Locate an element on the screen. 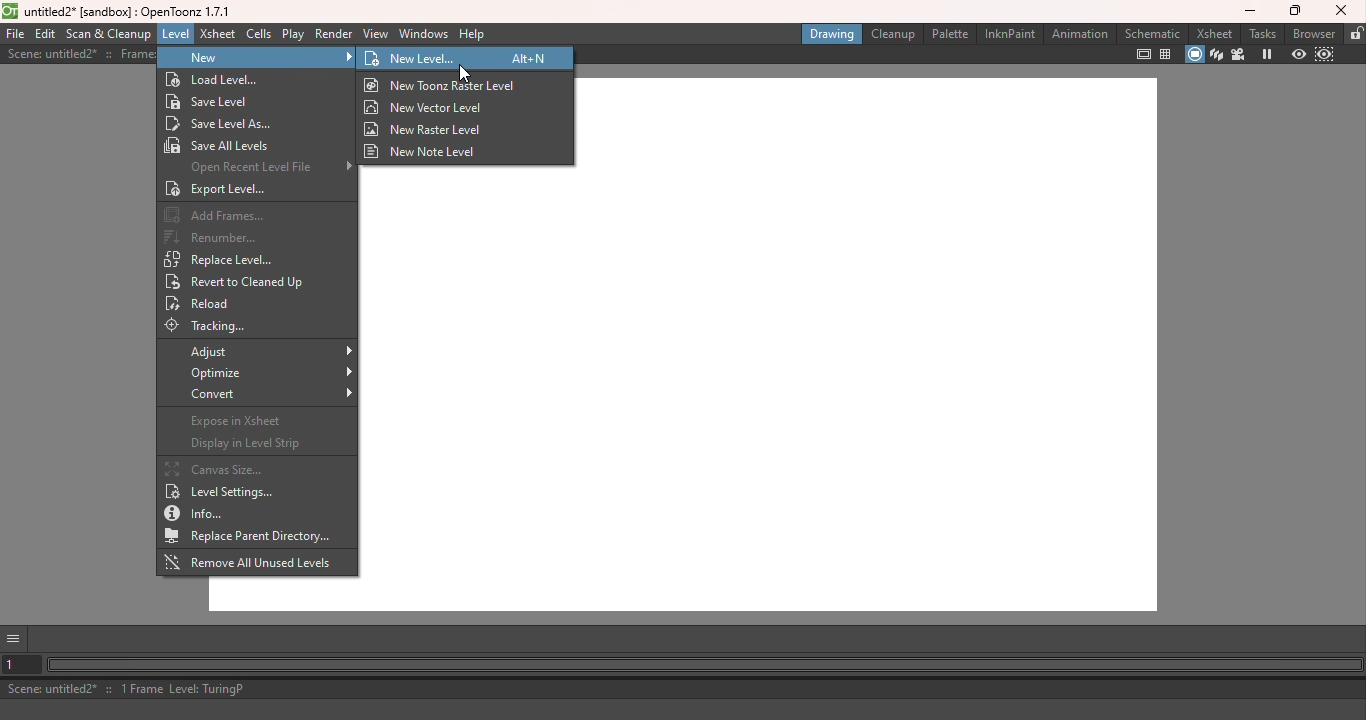 This screenshot has width=1366, height=720. Load level is located at coordinates (254, 80).